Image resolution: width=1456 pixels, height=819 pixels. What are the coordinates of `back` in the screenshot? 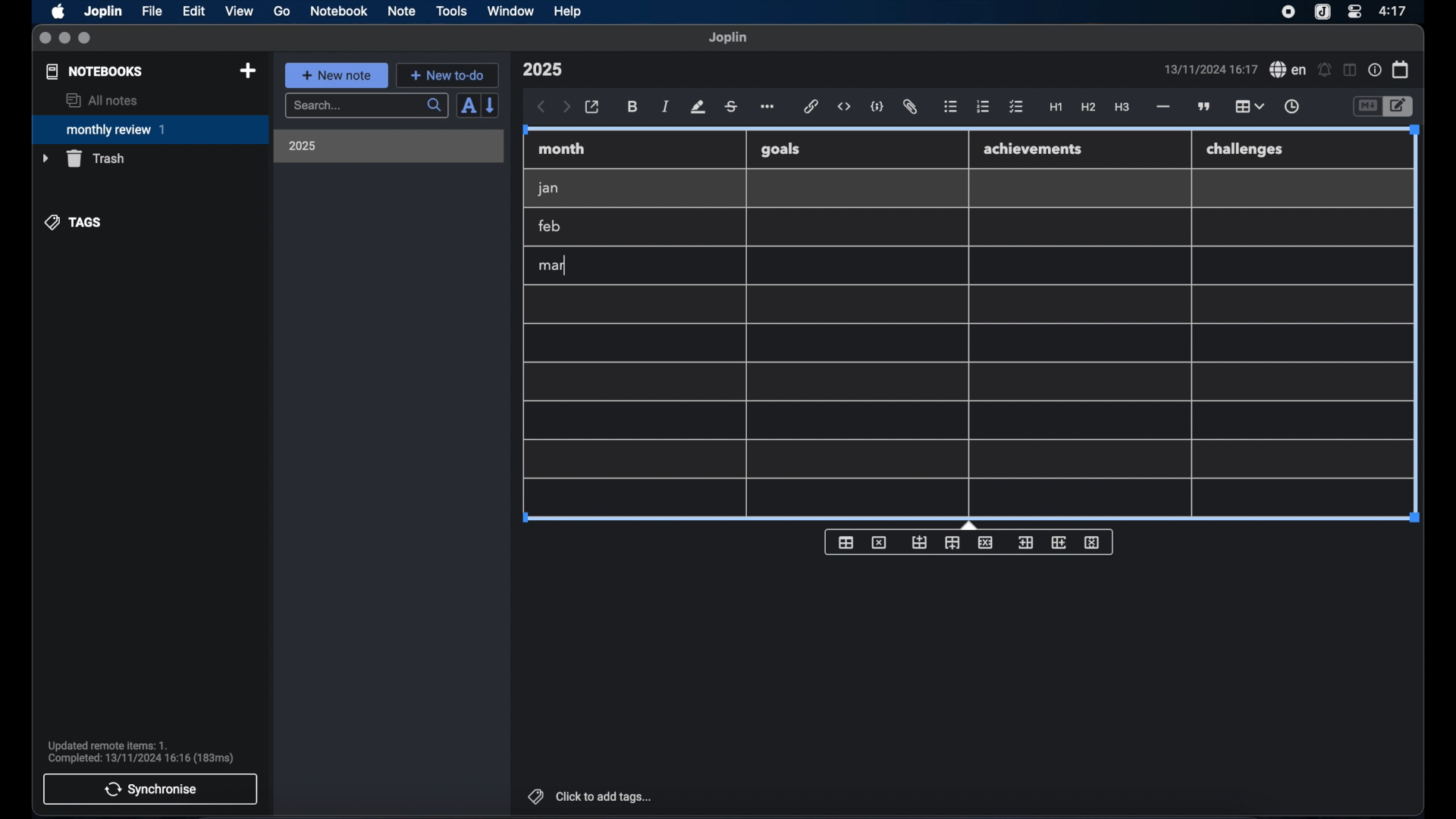 It's located at (541, 107).